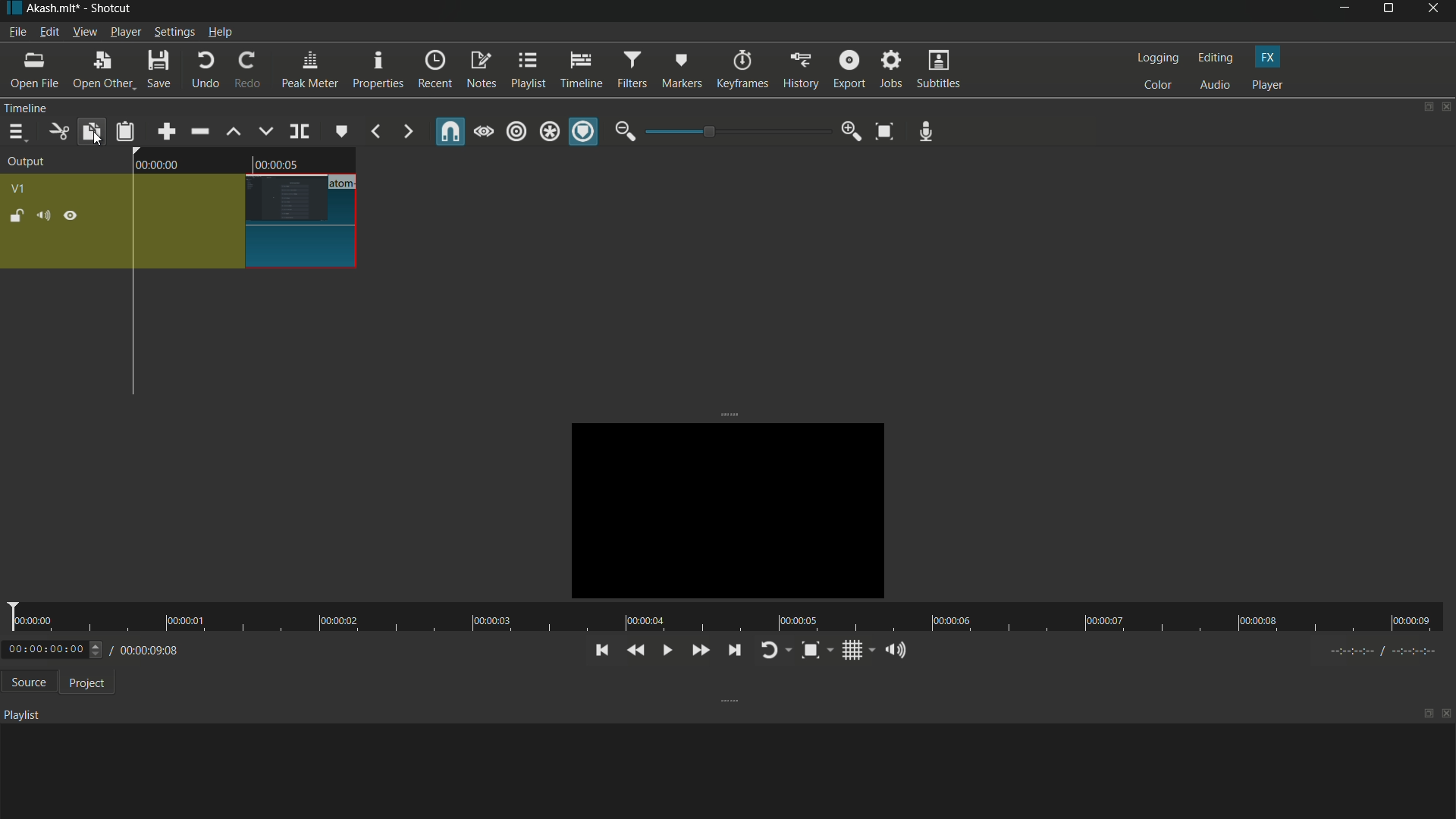 The height and width of the screenshot is (819, 1456). I want to click on maximize, so click(1428, 714).